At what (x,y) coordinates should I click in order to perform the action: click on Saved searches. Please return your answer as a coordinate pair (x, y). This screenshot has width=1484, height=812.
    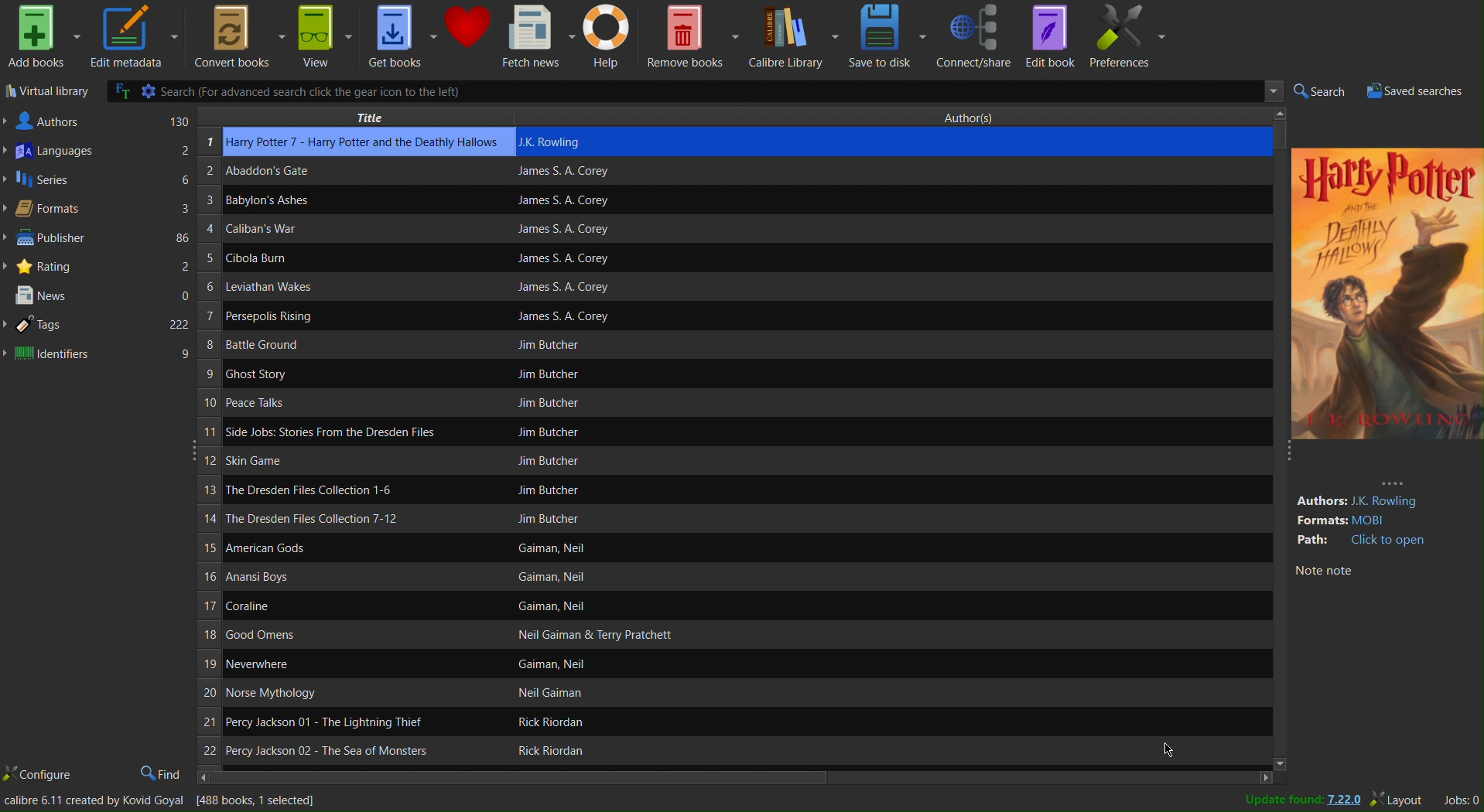
    Looking at the image, I should click on (1423, 90).